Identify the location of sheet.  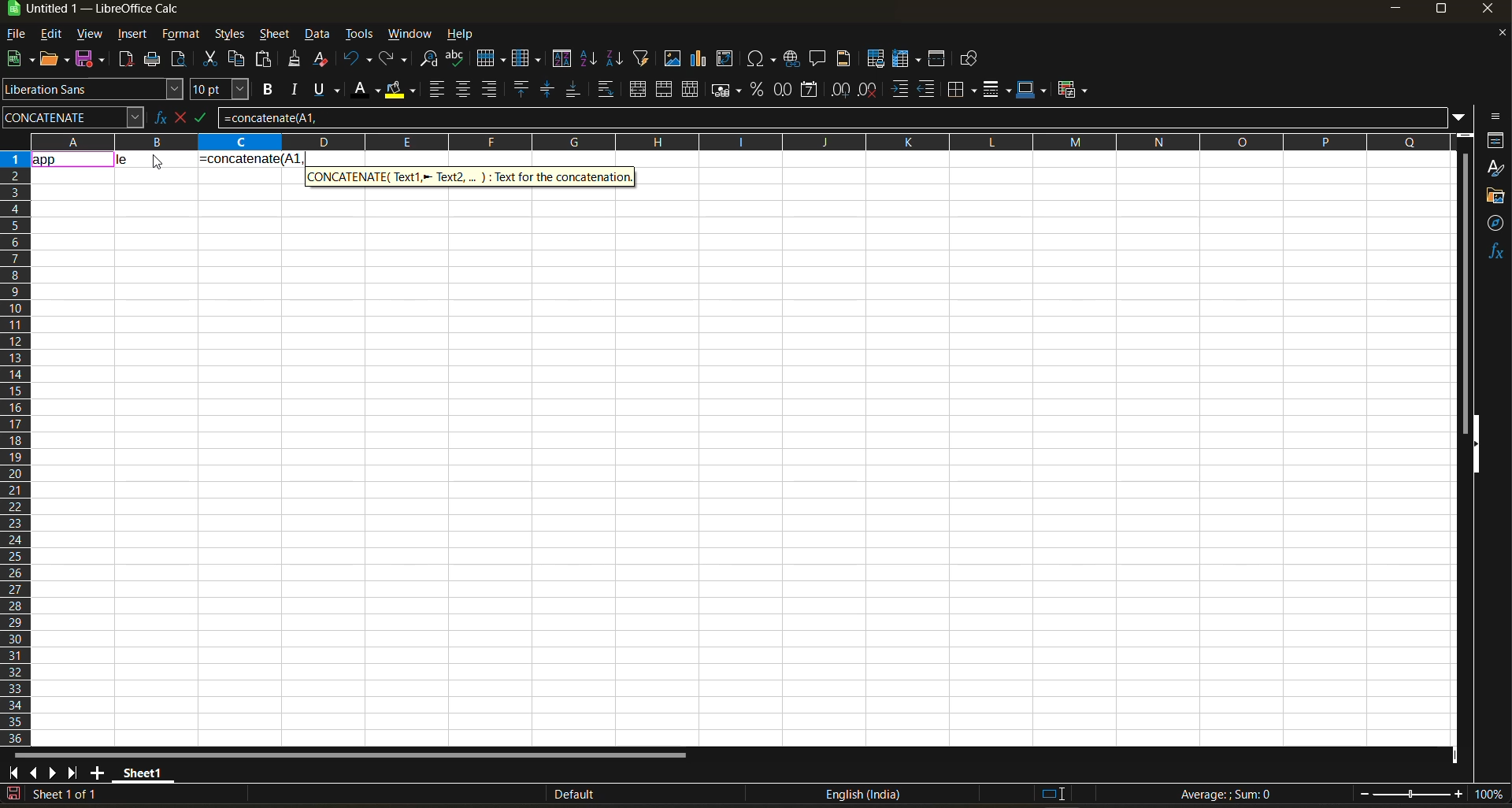
(274, 34).